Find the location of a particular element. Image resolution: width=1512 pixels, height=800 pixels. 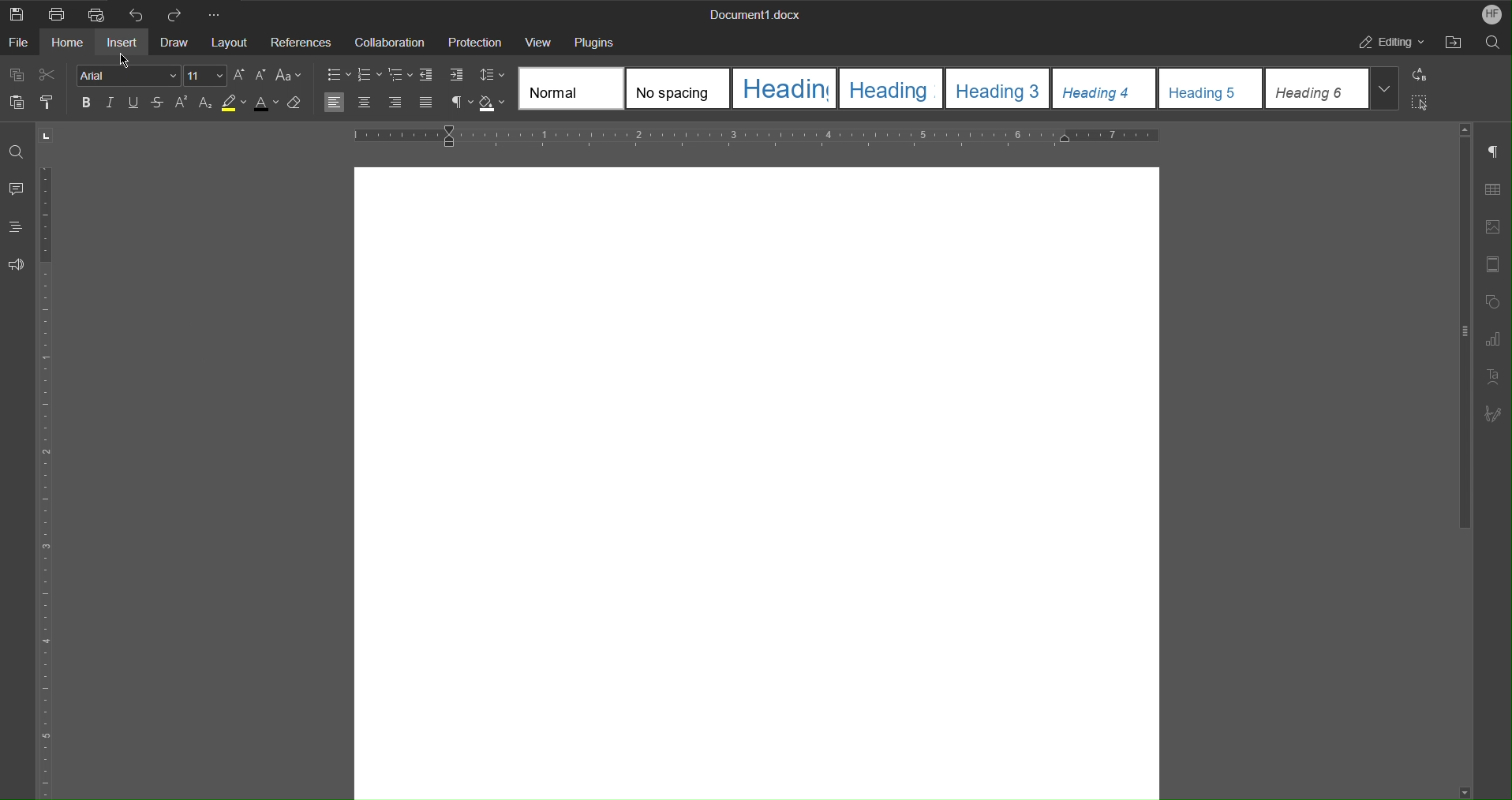

Layout is located at coordinates (226, 44).